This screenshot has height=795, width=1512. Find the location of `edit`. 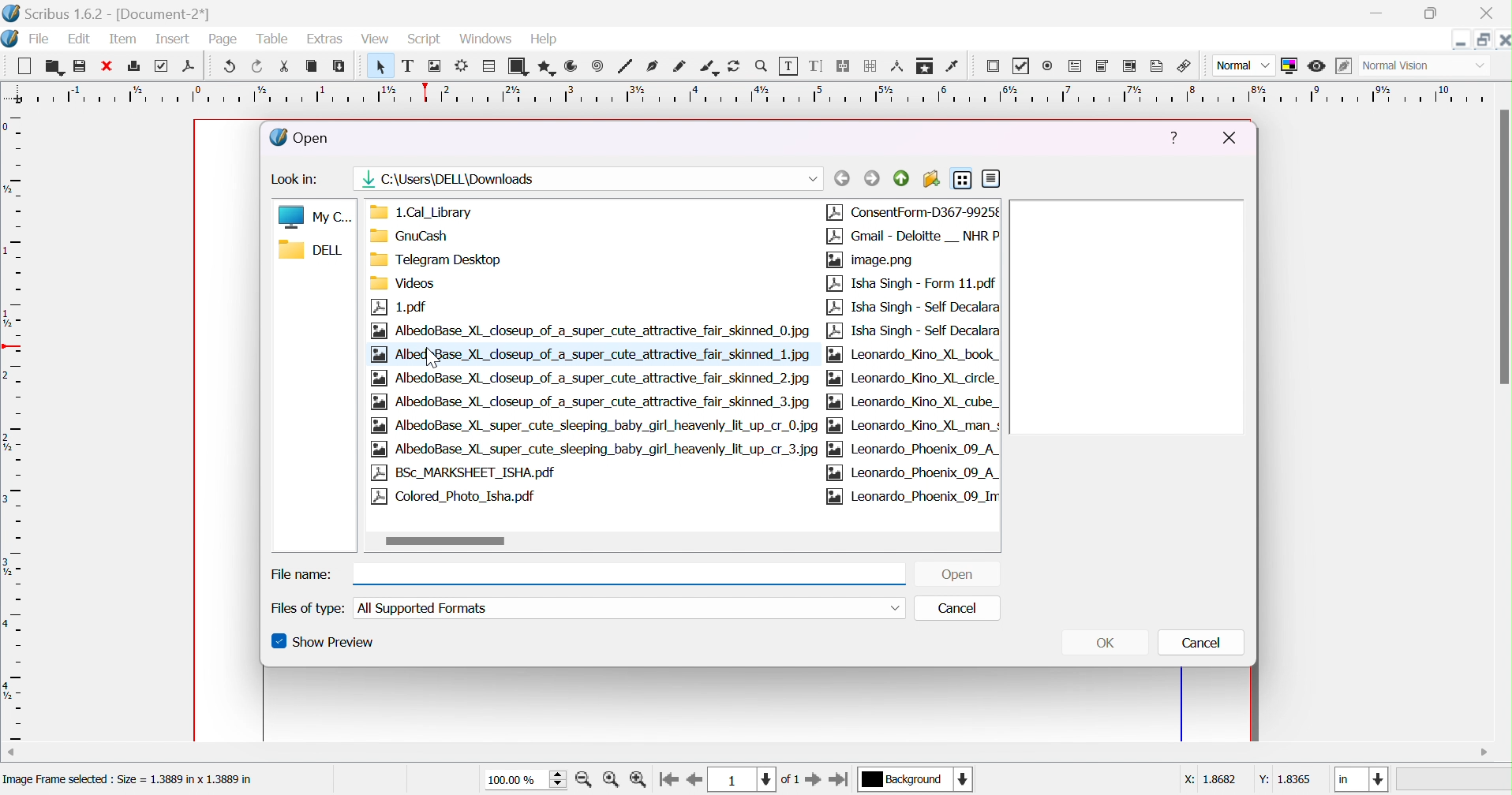

edit is located at coordinates (79, 38).